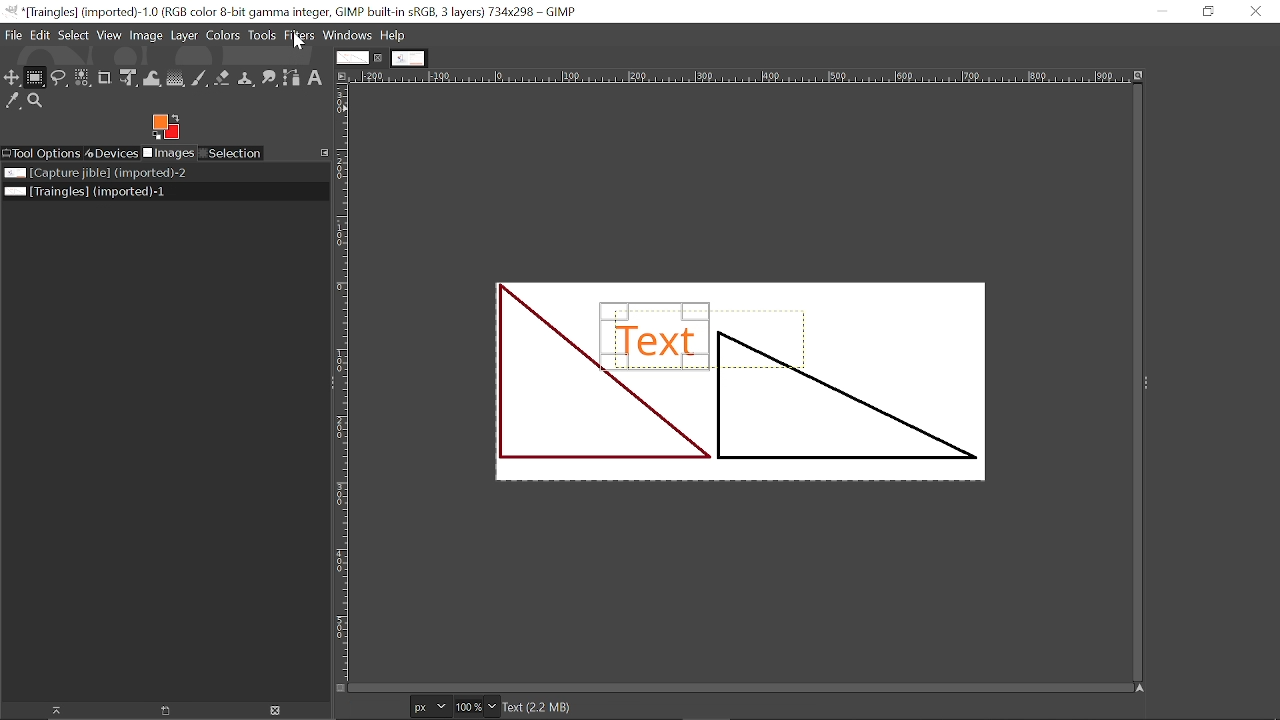 Image resolution: width=1280 pixels, height=720 pixels. I want to click on Colors, so click(223, 36).